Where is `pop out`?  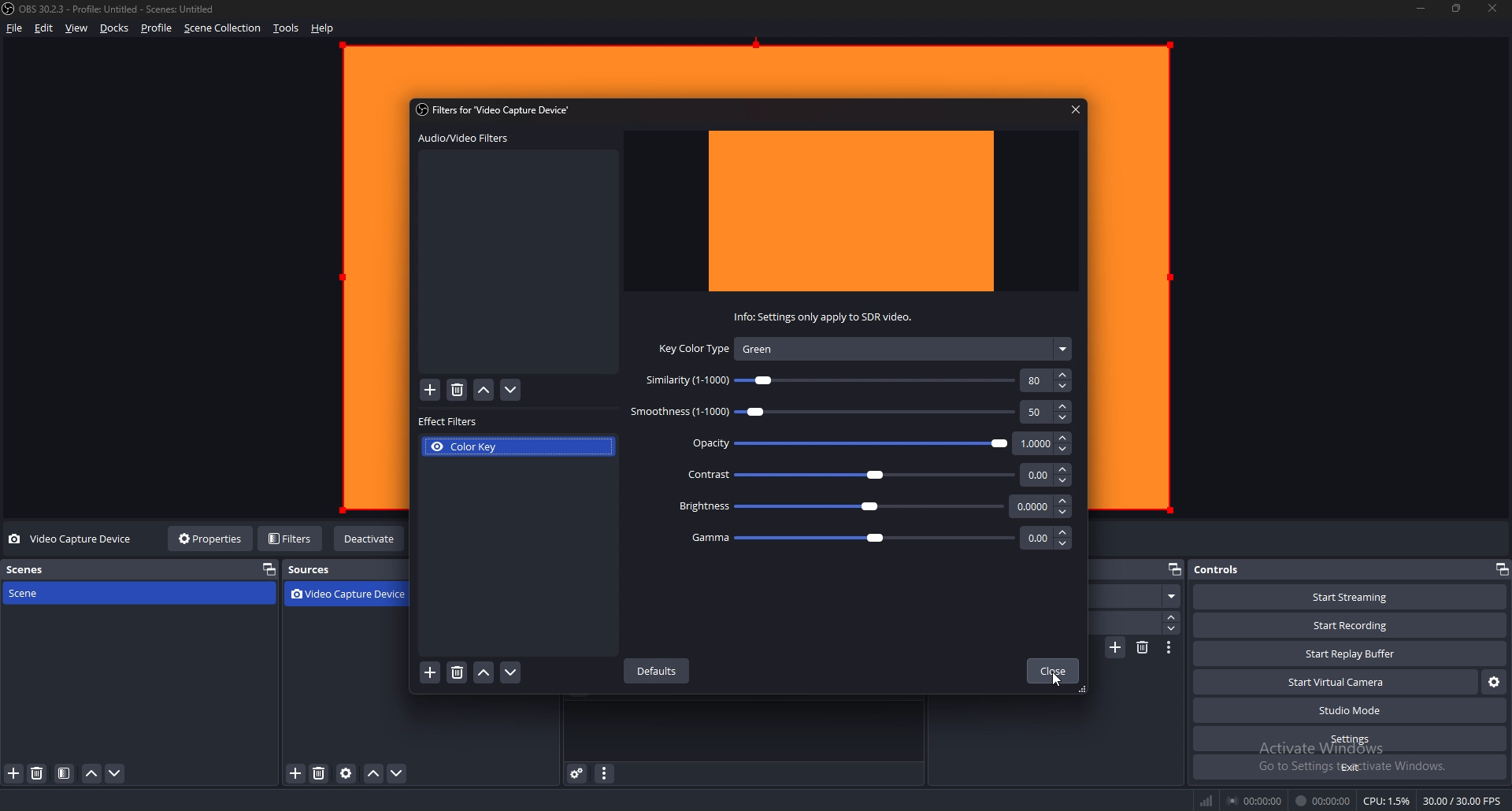 pop out is located at coordinates (268, 570).